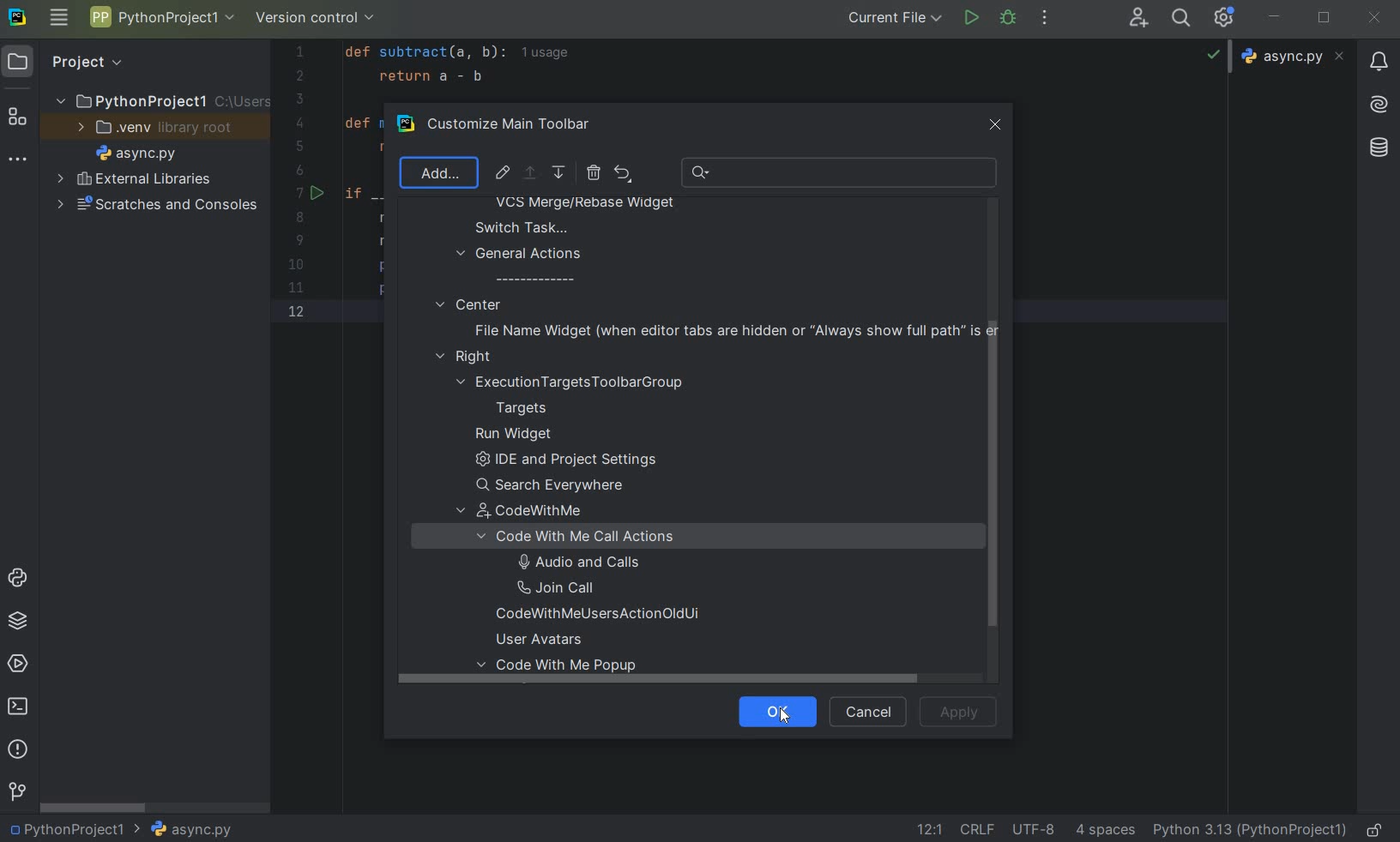 The height and width of the screenshot is (842, 1400). I want to click on SCRATCHES AND CONSOLES, so click(158, 205).